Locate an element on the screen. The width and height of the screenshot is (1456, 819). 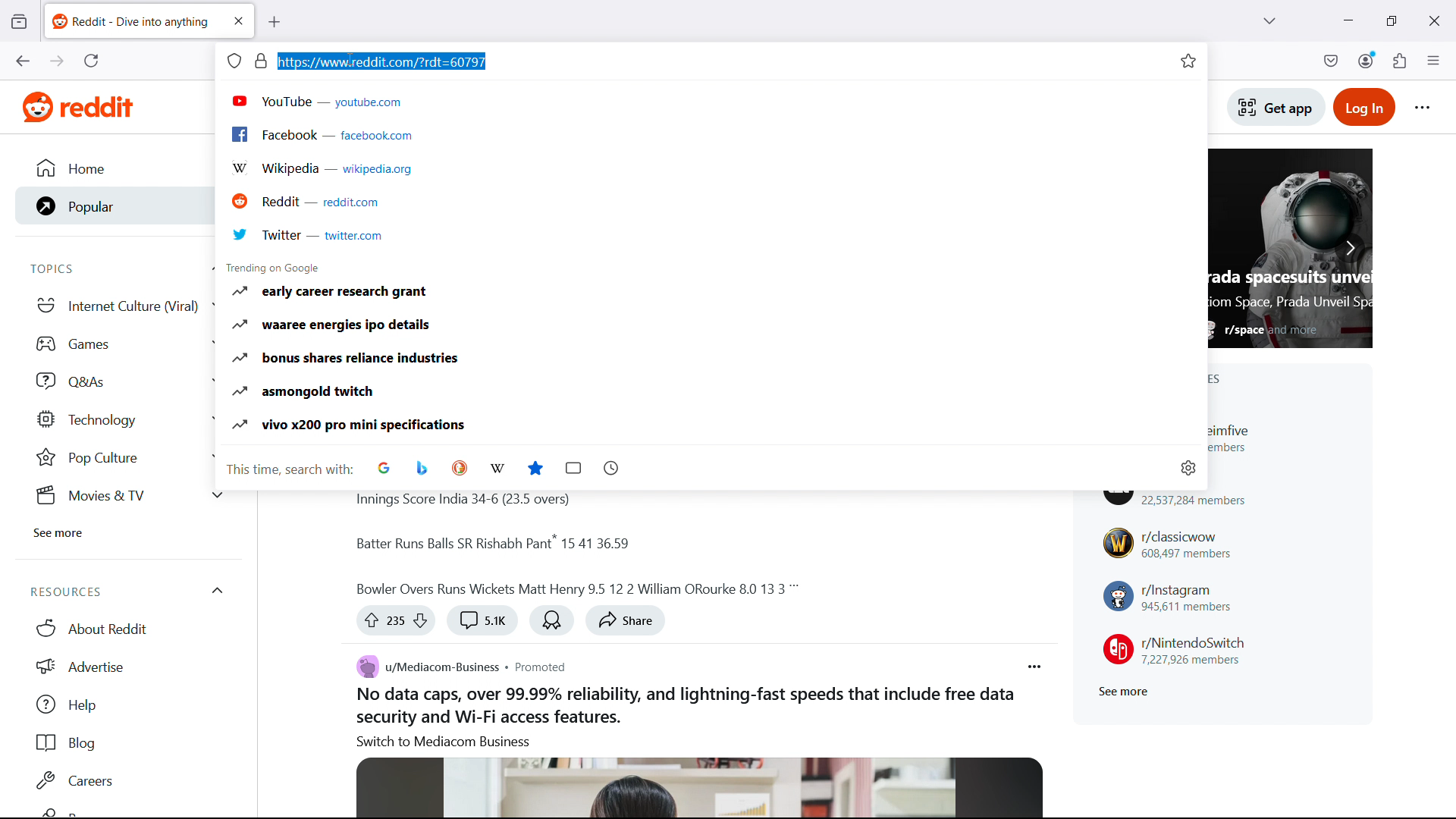
Get app is located at coordinates (1276, 106).